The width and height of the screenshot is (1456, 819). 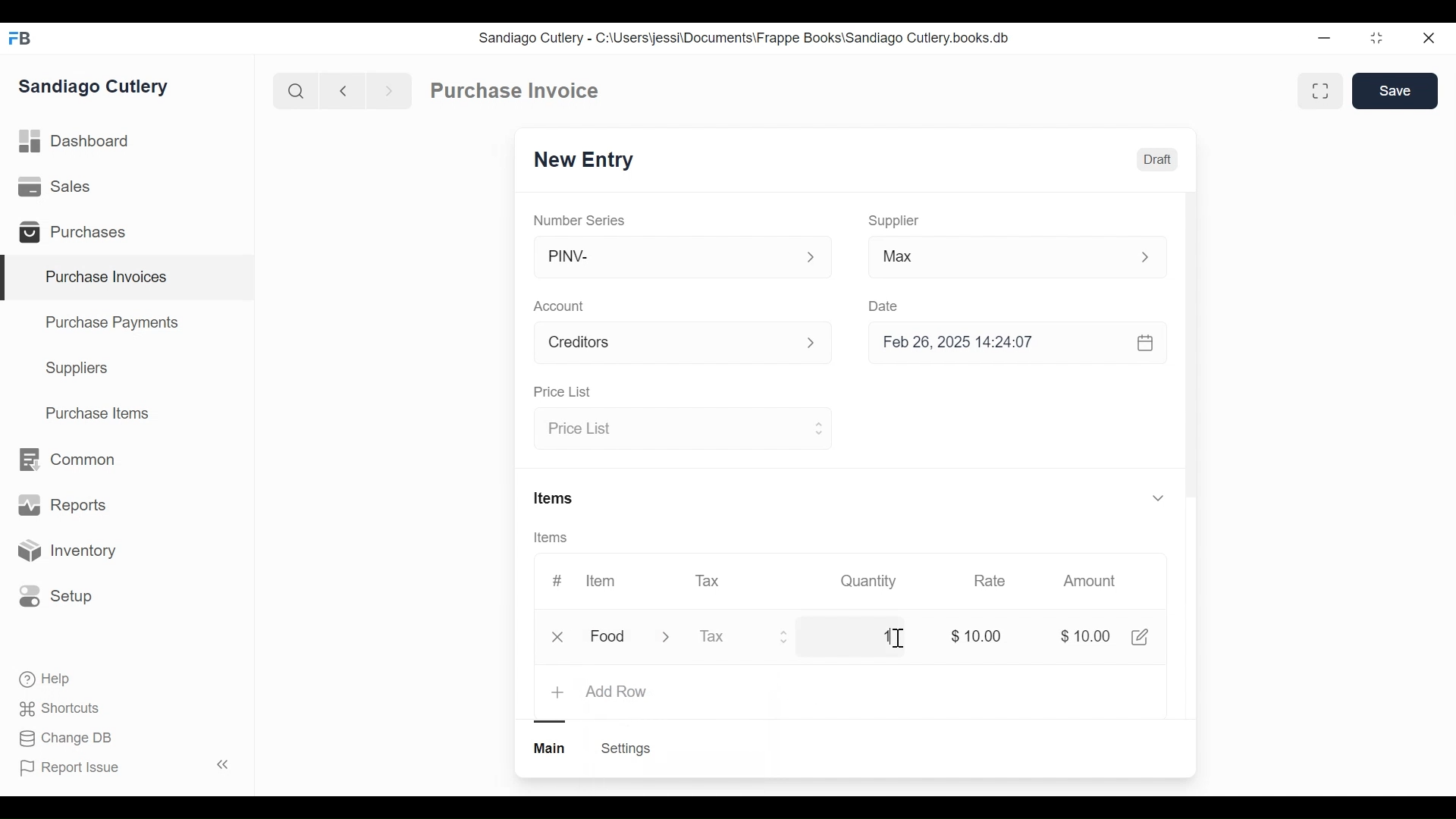 What do you see at coordinates (617, 692) in the screenshot?
I see `Add Row` at bounding box center [617, 692].